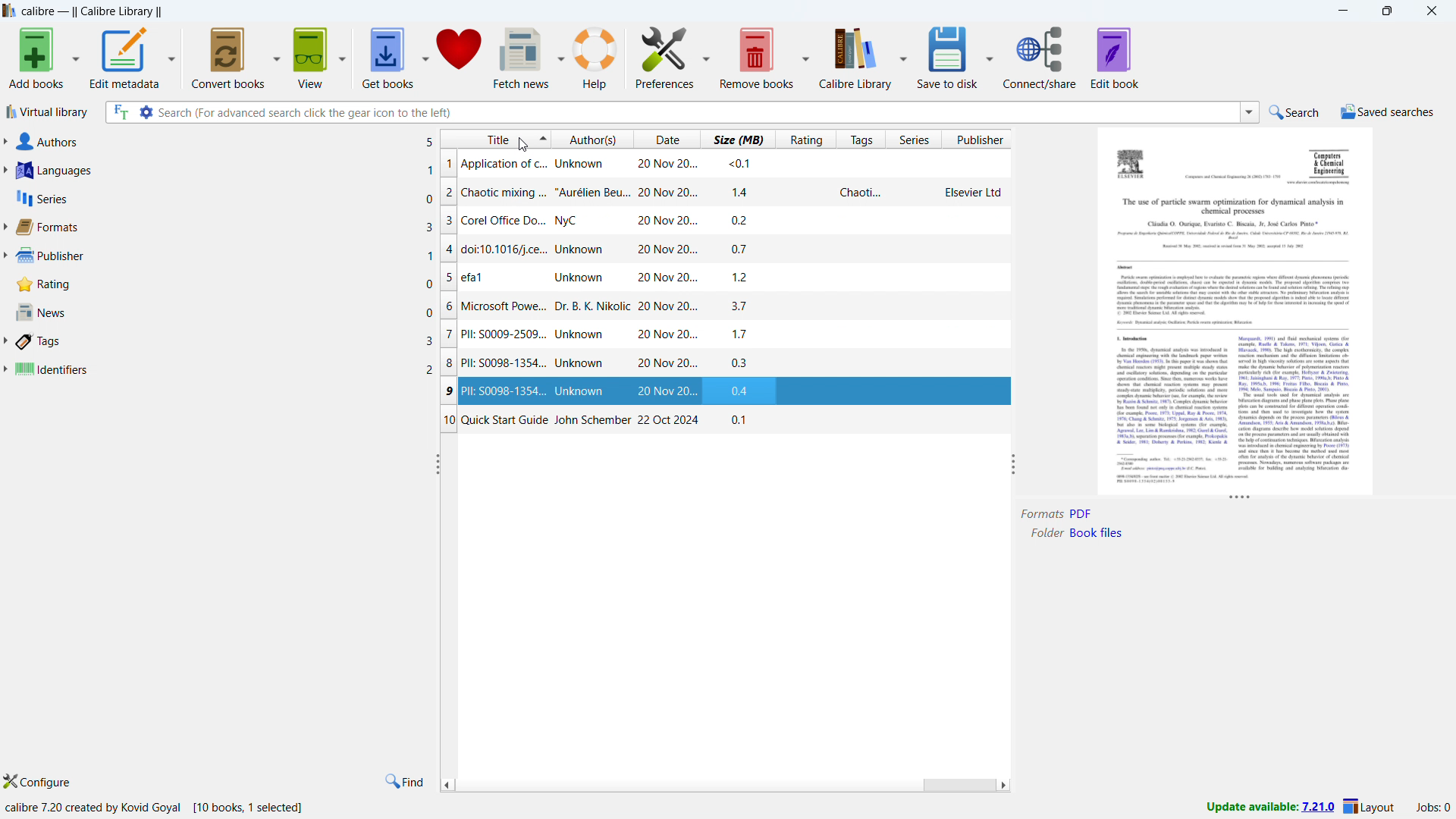  Describe the element at coordinates (224, 256) in the screenshot. I see `publishrer` at that location.